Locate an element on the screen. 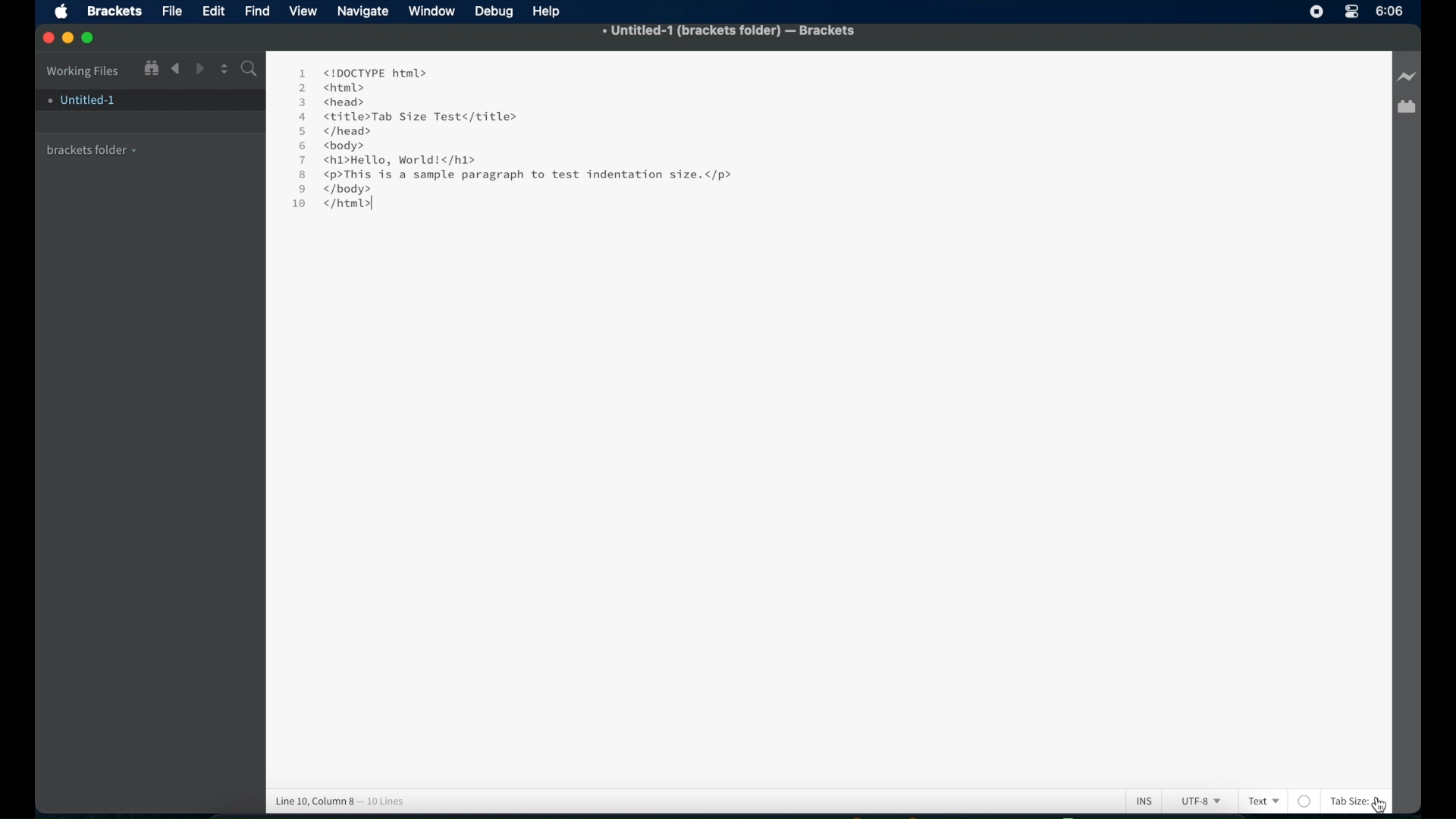  Calendar is located at coordinates (1406, 108).